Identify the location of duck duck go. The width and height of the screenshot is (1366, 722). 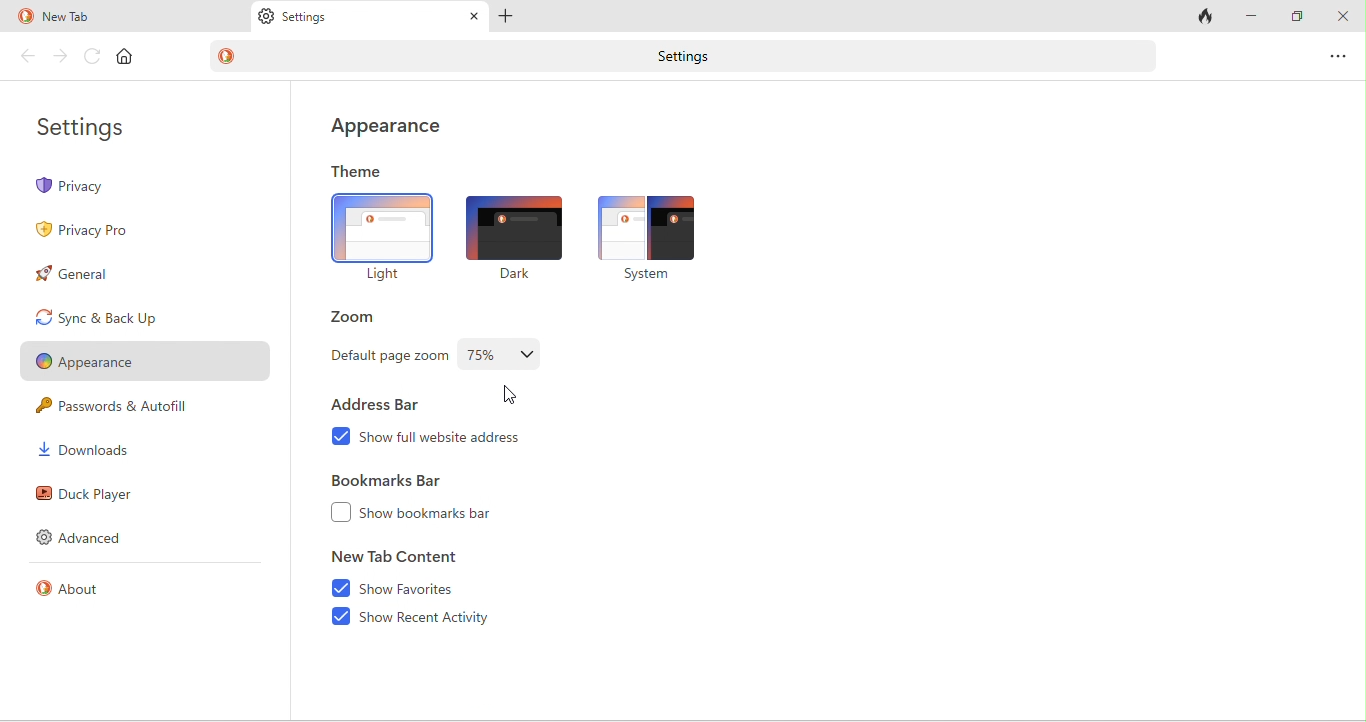
(24, 17).